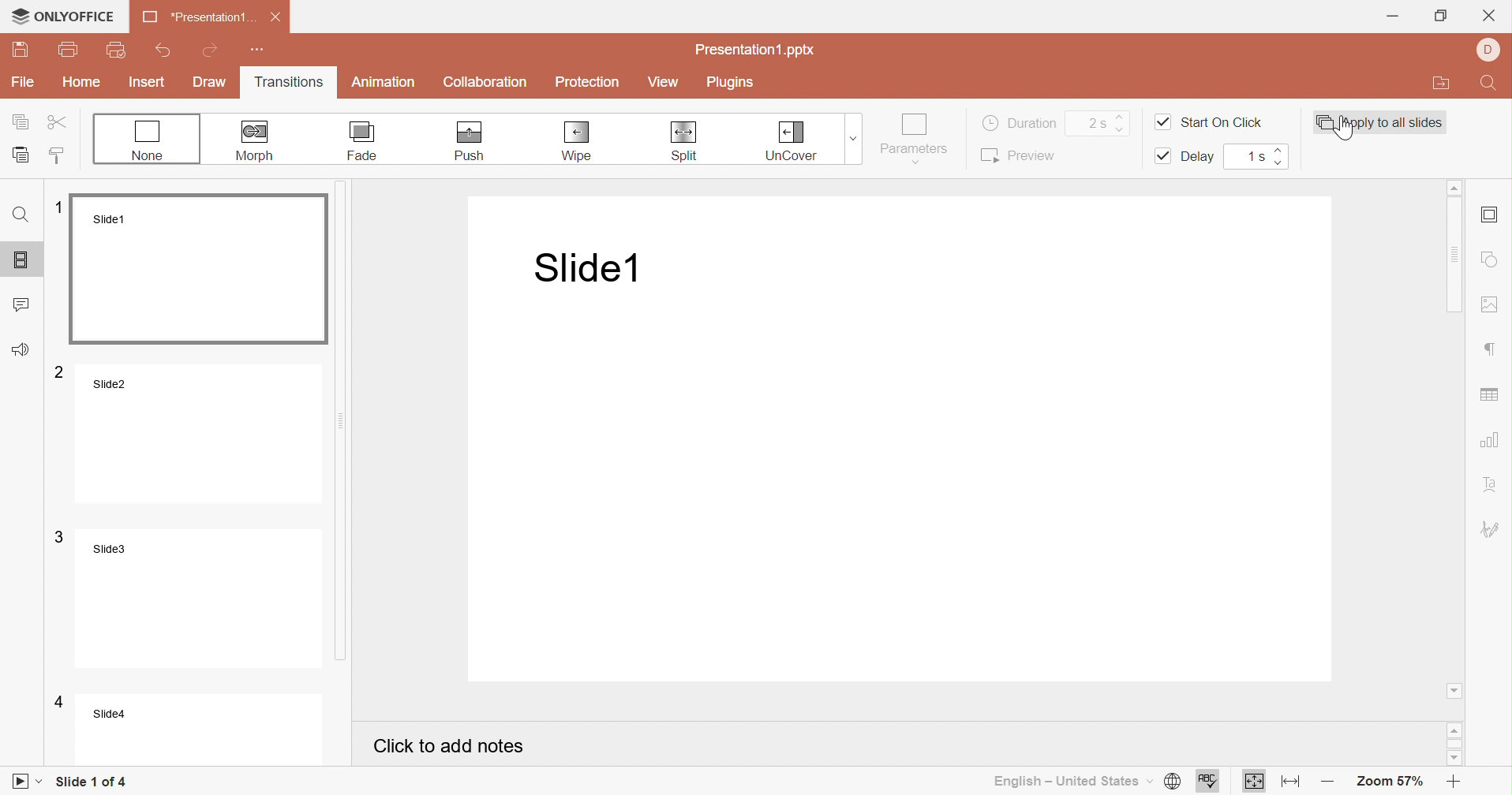 The image size is (1512, 795). What do you see at coordinates (1255, 155) in the screenshot?
I see `1s` at bounding box center [1255, 155].